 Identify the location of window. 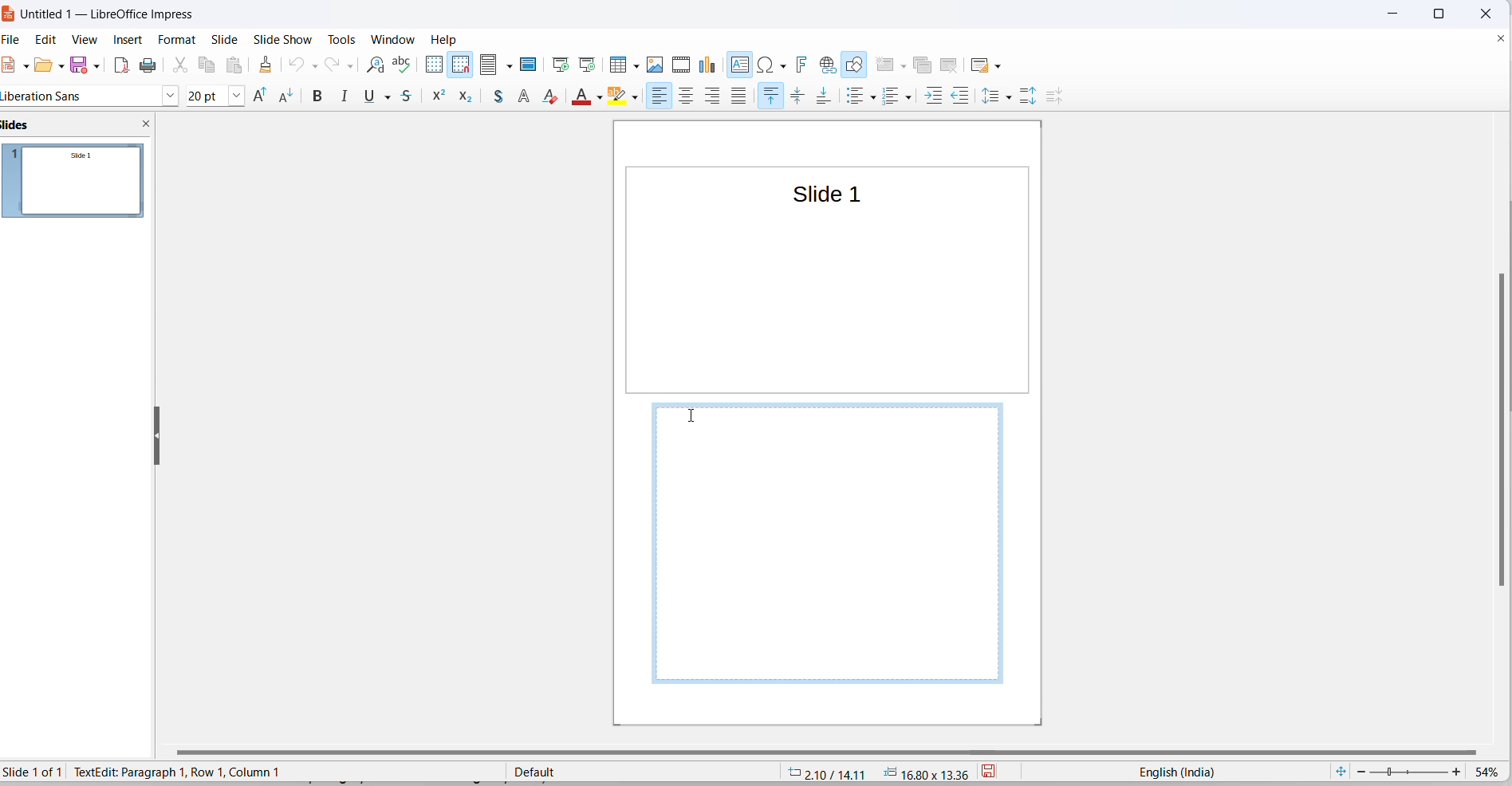
(392, 38).